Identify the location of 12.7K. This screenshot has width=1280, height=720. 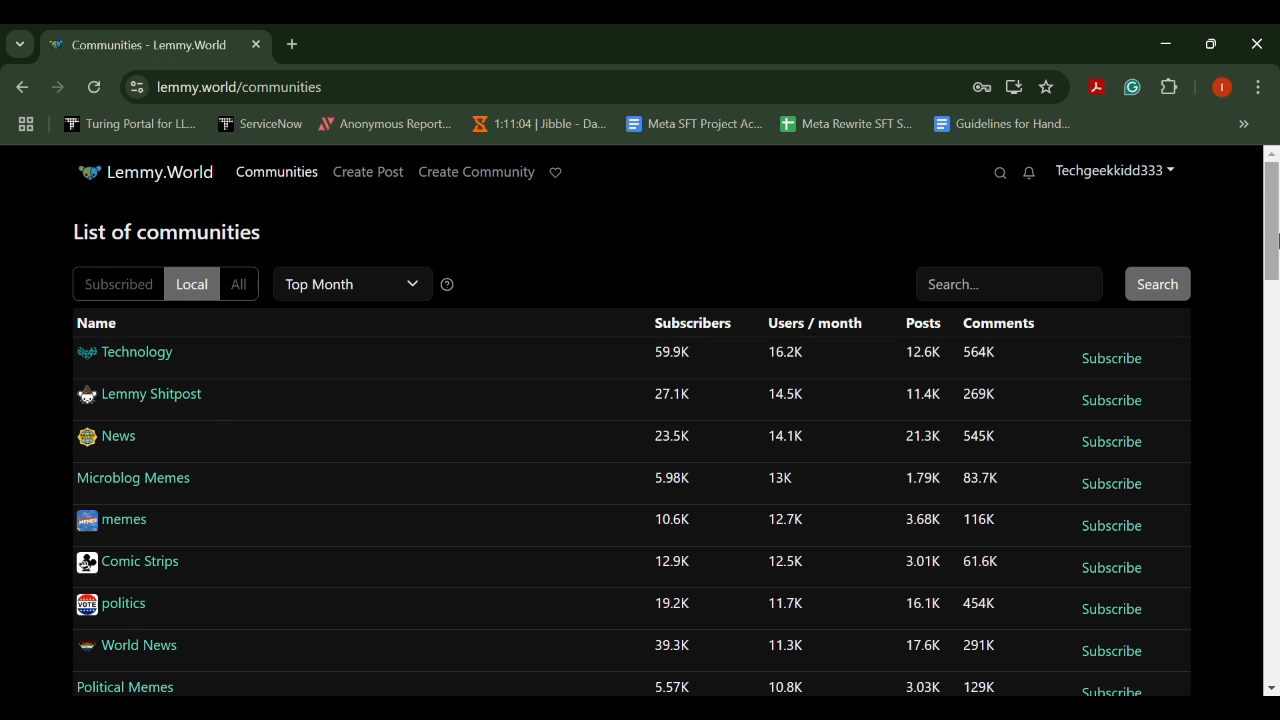
(786, 520).